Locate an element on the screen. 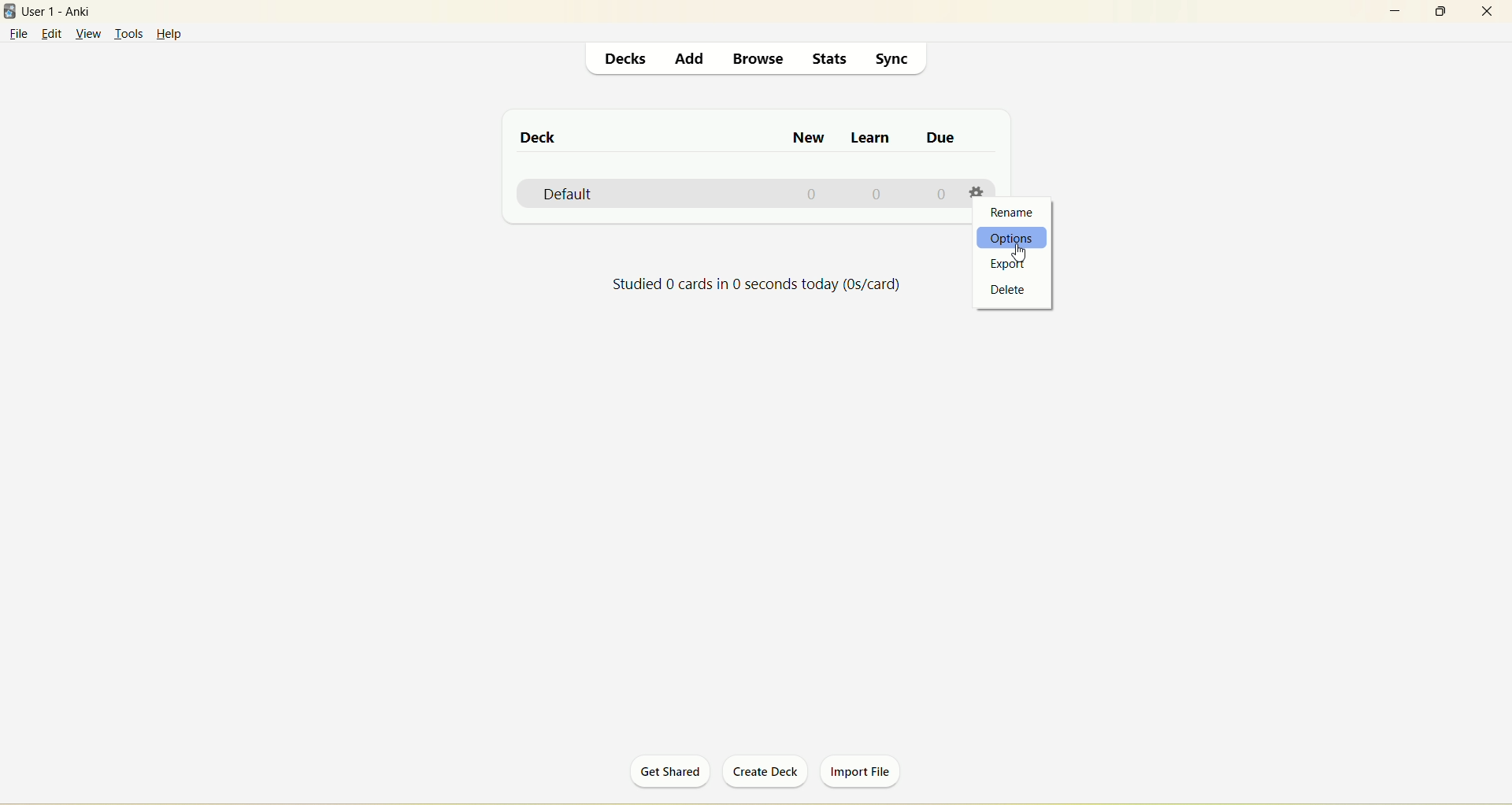  new is located at coordinates (811, 139).